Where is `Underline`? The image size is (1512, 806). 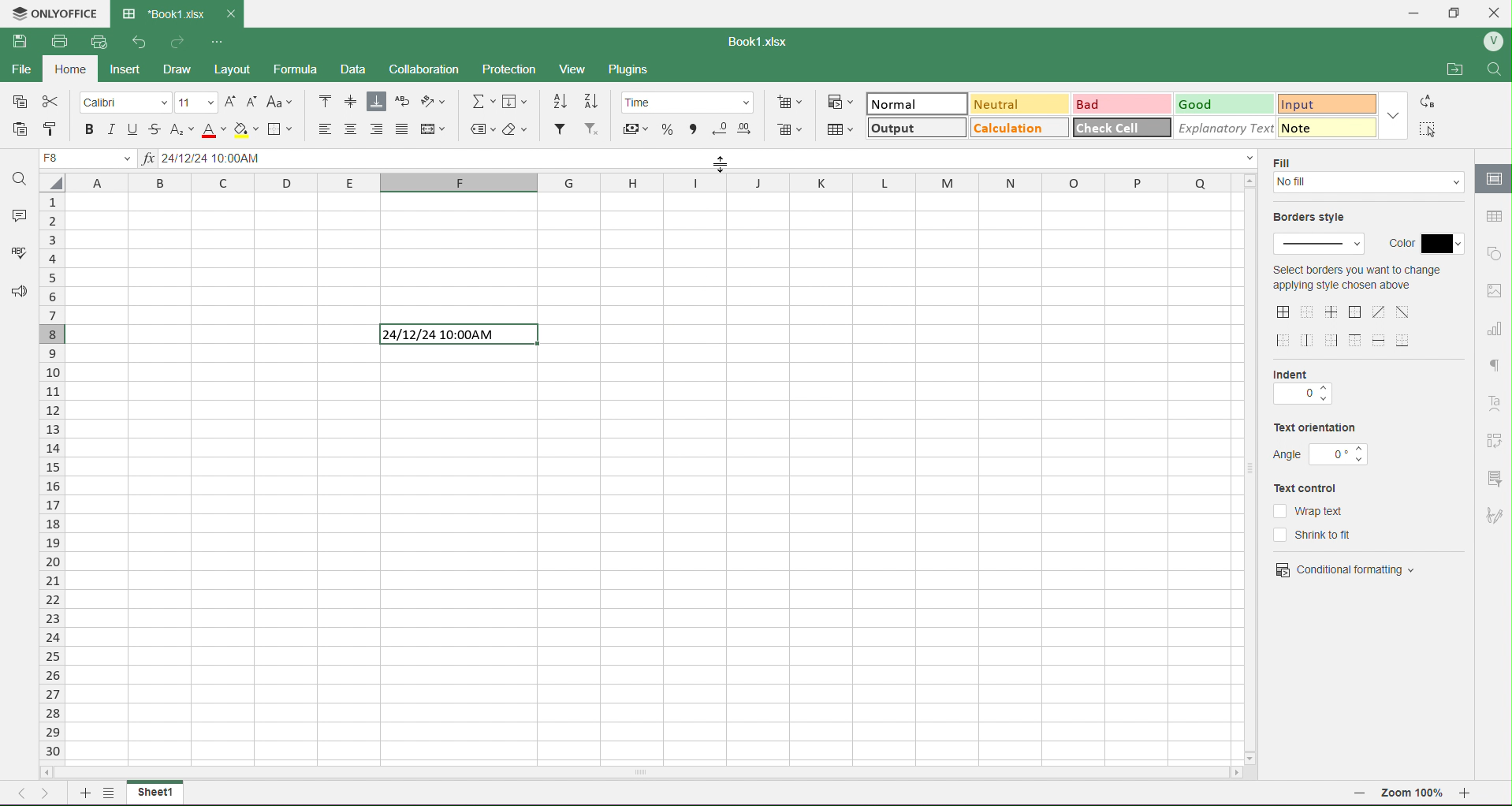
Underline is located at coordinates (131, 129).